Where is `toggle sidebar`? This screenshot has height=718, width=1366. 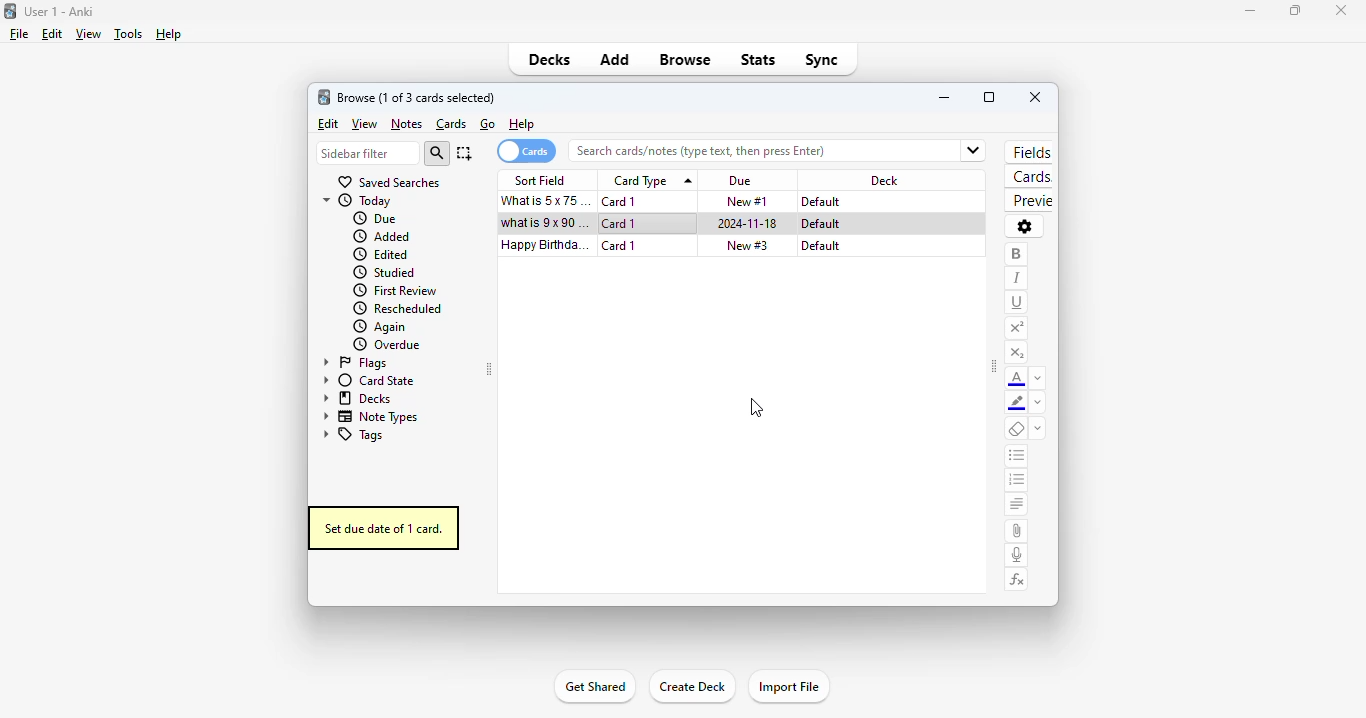
toggle sidebar is located at coordinates (994, 366).